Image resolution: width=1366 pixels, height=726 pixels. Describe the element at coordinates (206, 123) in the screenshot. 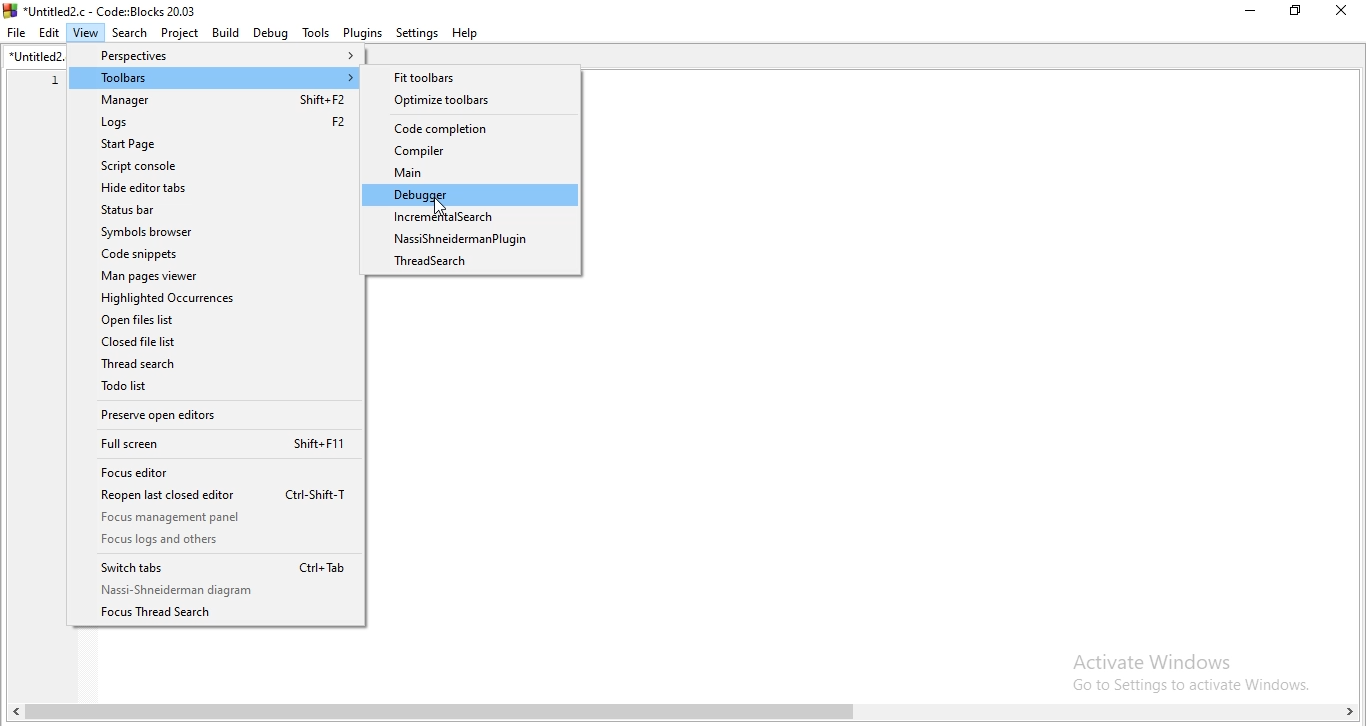

I see `Logs ` at that location.